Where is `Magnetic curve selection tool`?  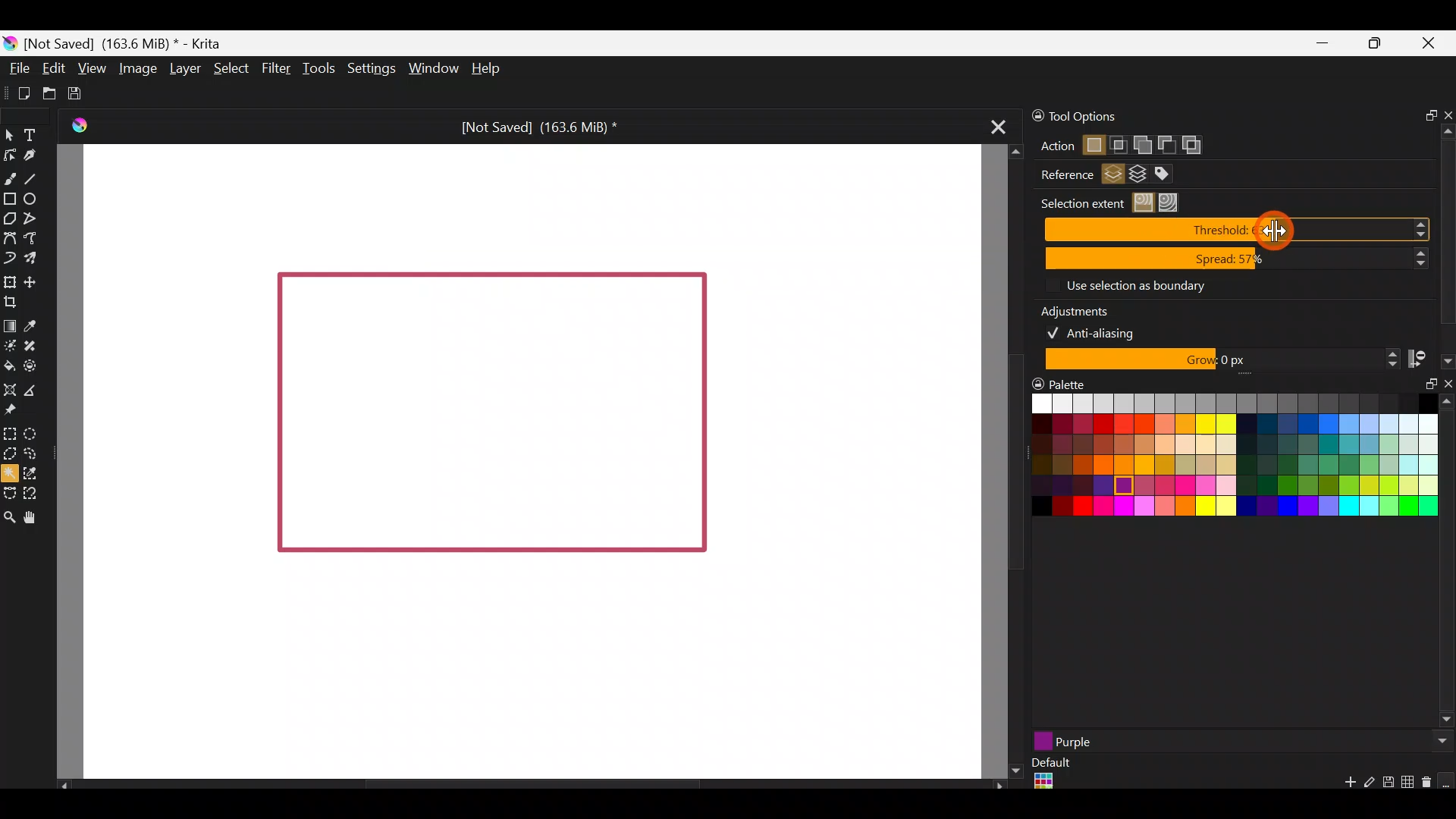 Magnetic curve selection tool is located at coordinates (33, 490).